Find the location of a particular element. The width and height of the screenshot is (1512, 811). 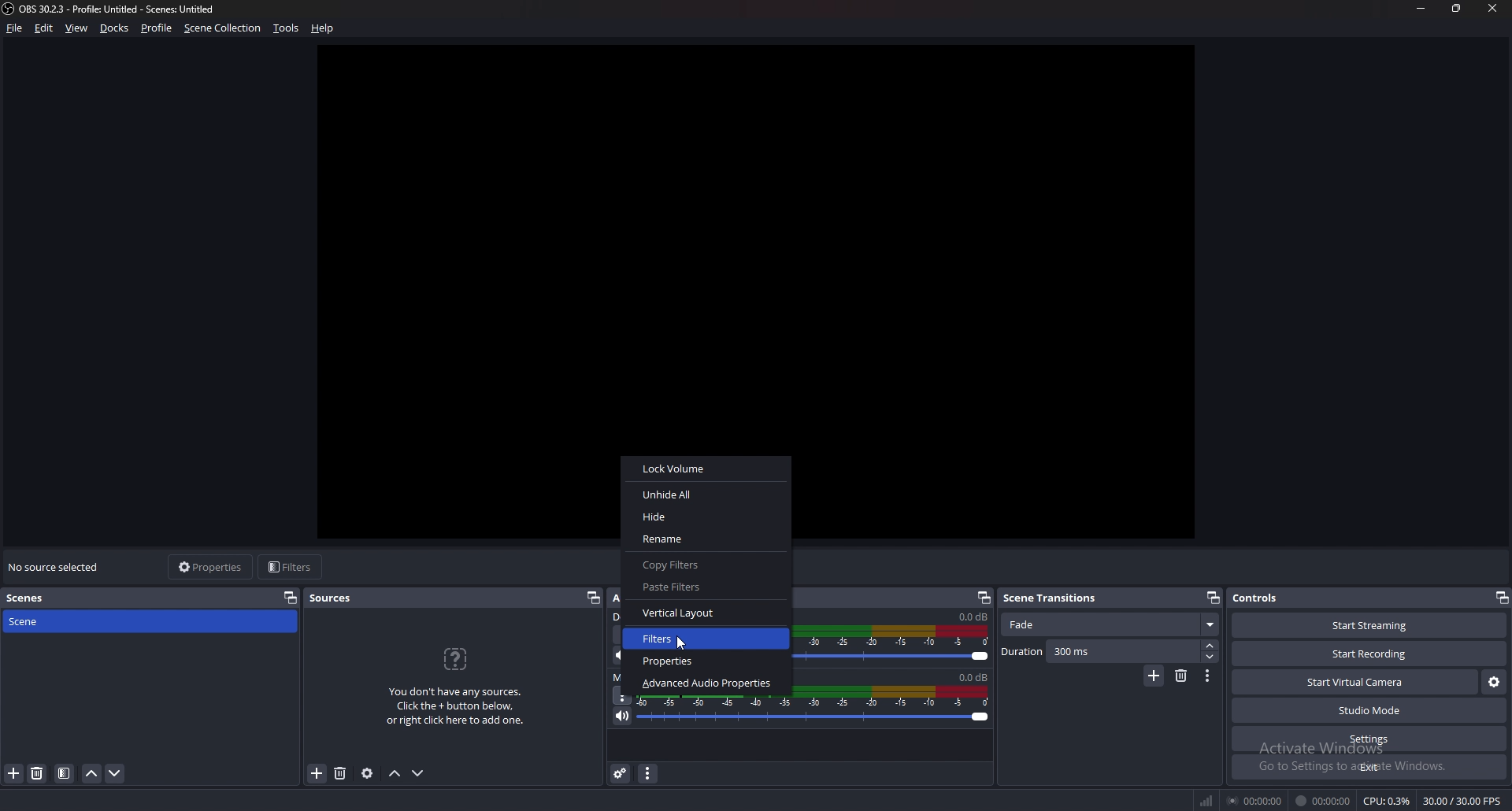

decrease duration is located at coordinates (1212, 657).